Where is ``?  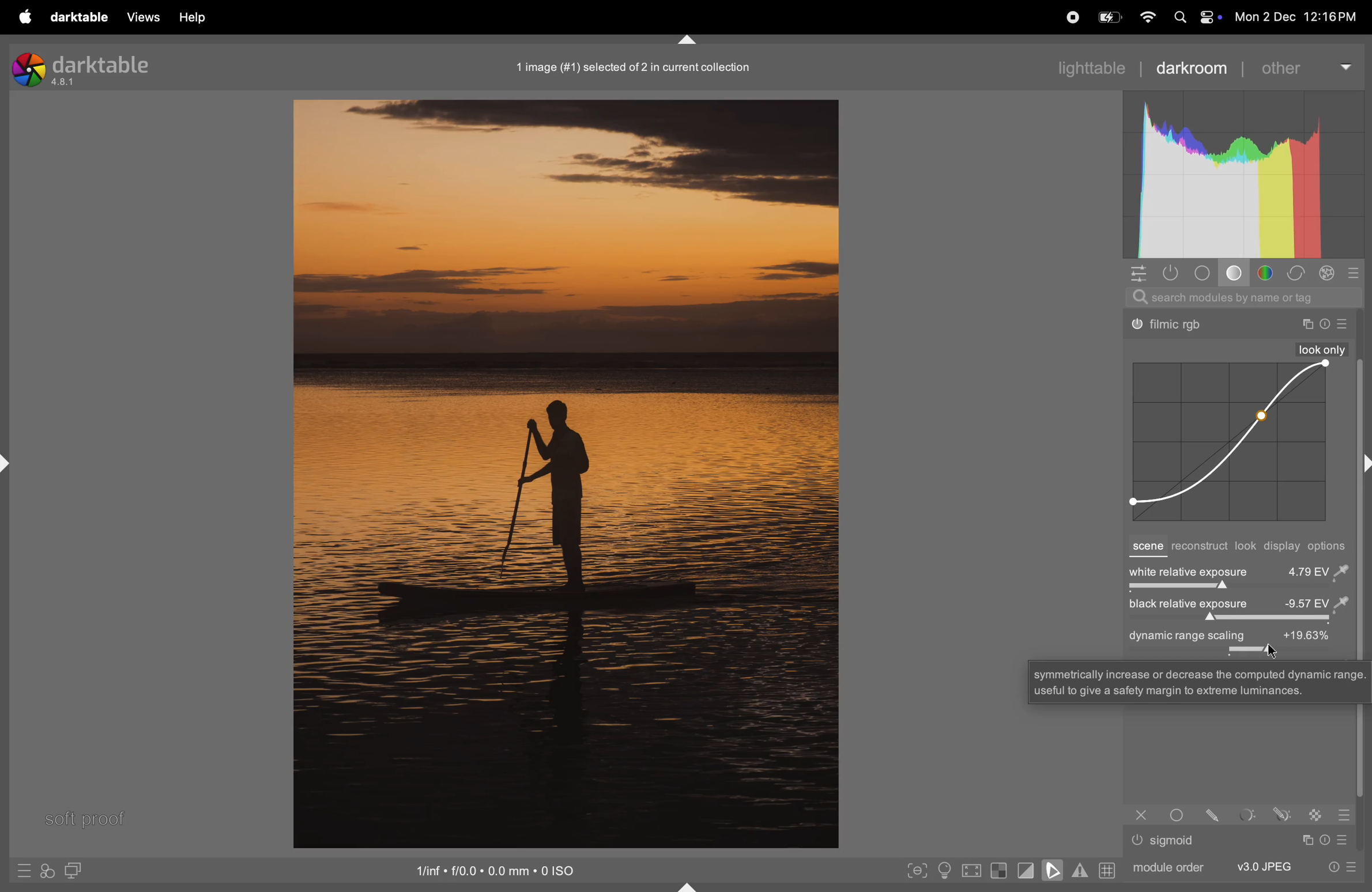
 is located at coordinates (1345, 324).